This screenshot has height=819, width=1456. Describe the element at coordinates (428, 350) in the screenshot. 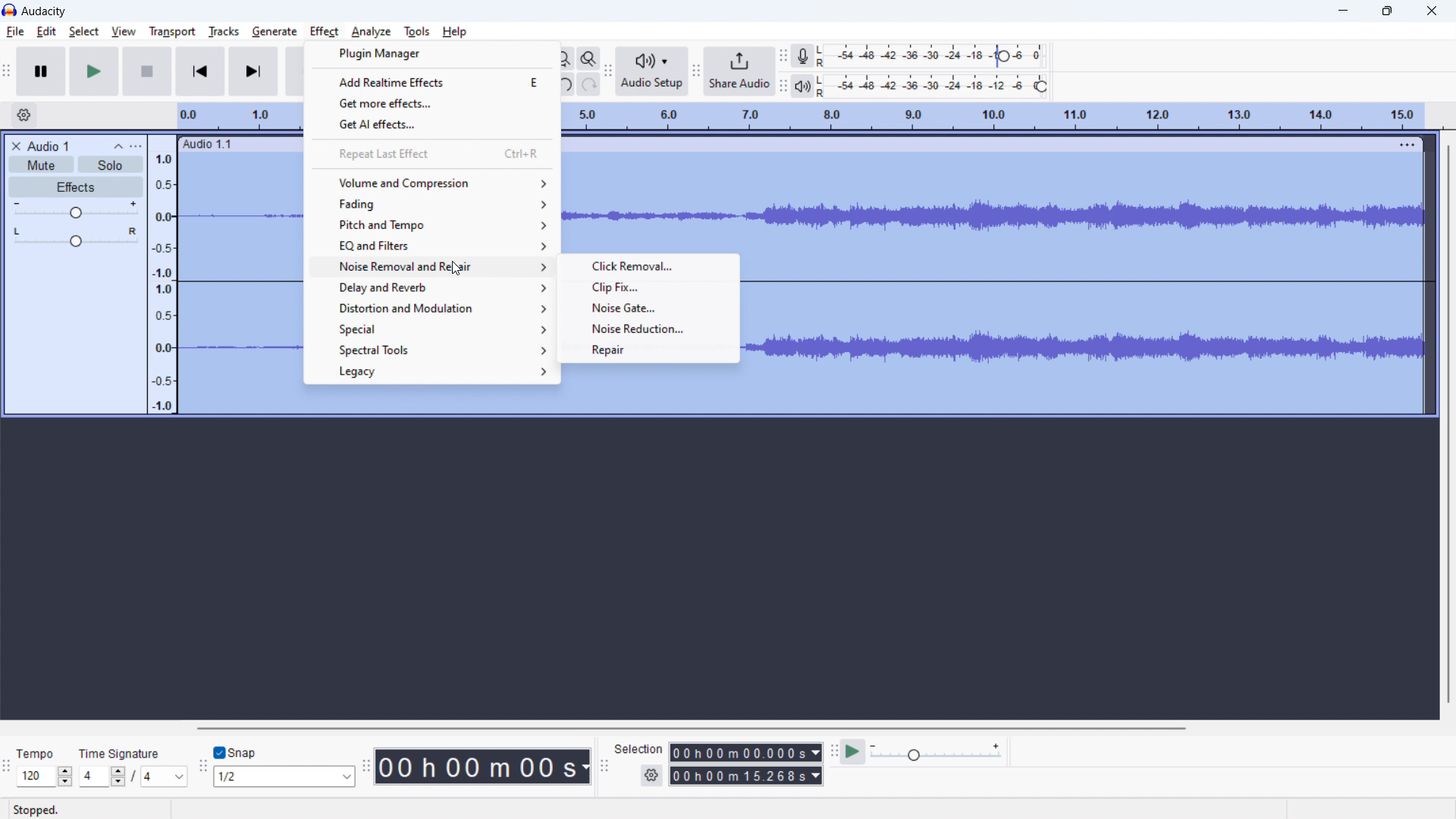

I see `spectral tools` at that location.